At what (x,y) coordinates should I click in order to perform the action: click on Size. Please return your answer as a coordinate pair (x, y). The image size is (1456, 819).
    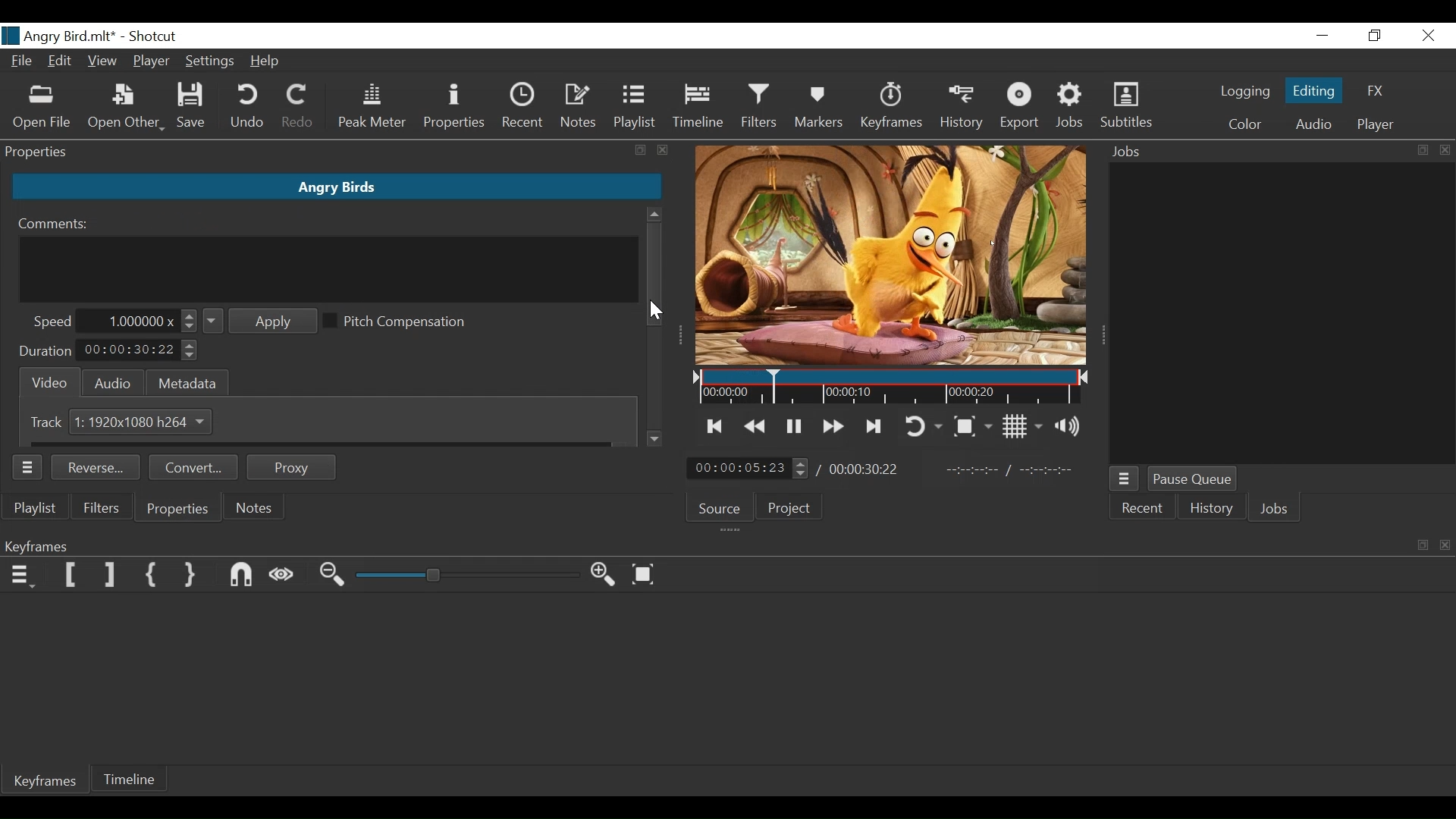
    Looking at the image, I should click on (151, 423).